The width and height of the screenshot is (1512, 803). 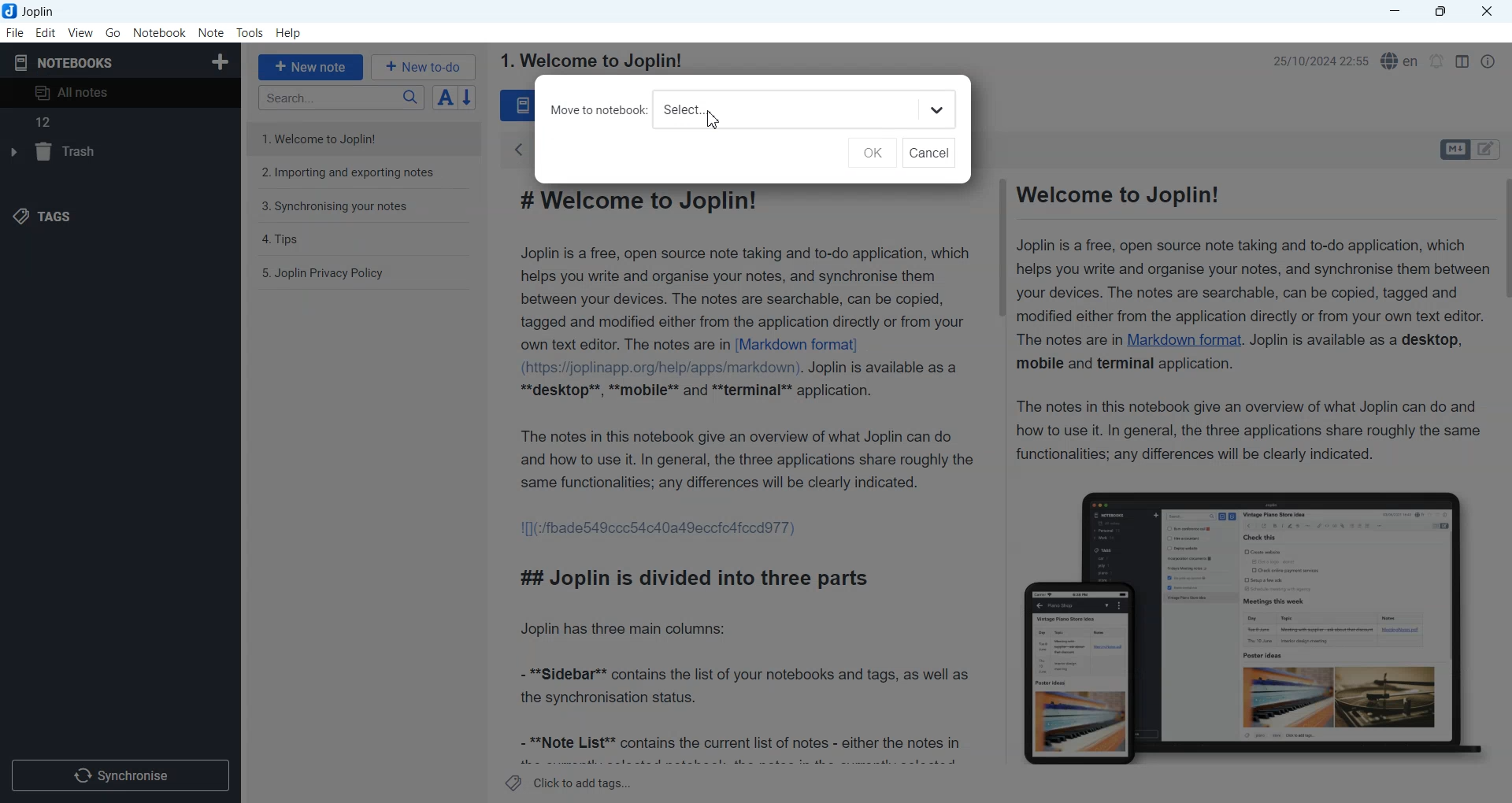 I want to click on Tools, so click(x=250, y=33).